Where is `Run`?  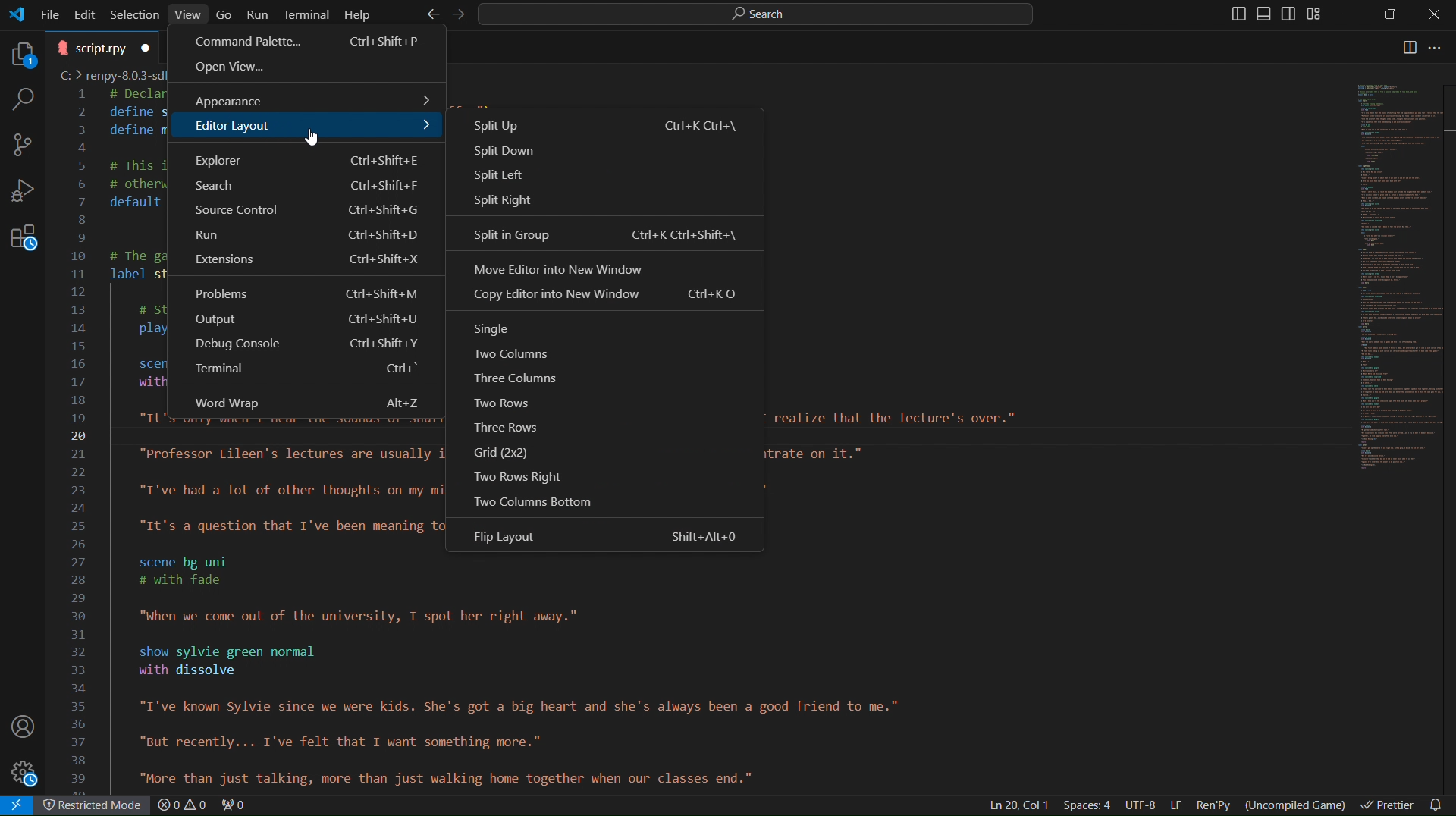
Run is located at coordinates (259, 14).